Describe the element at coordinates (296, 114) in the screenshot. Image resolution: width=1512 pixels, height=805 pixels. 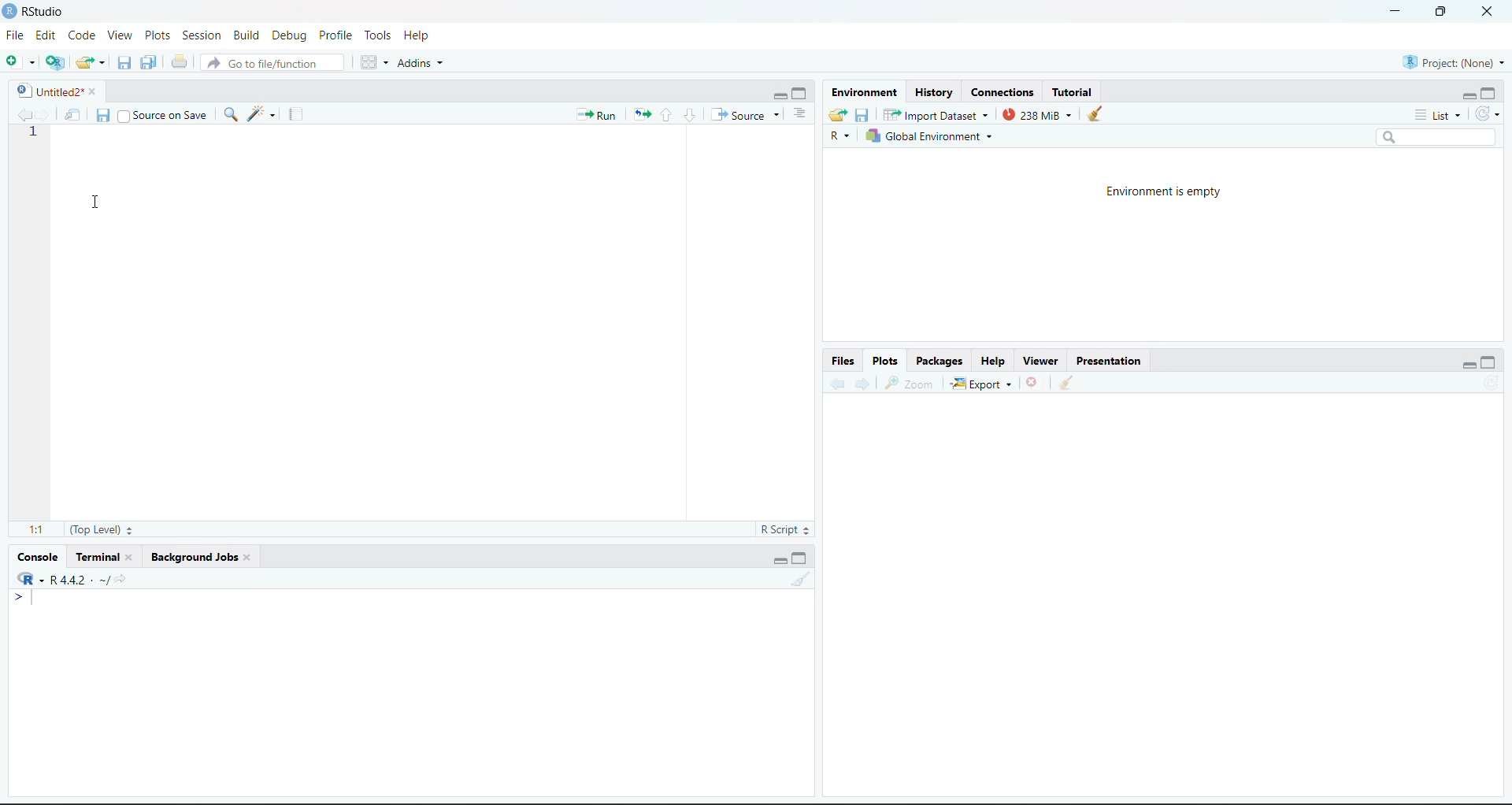
I see `compile report` at that location.